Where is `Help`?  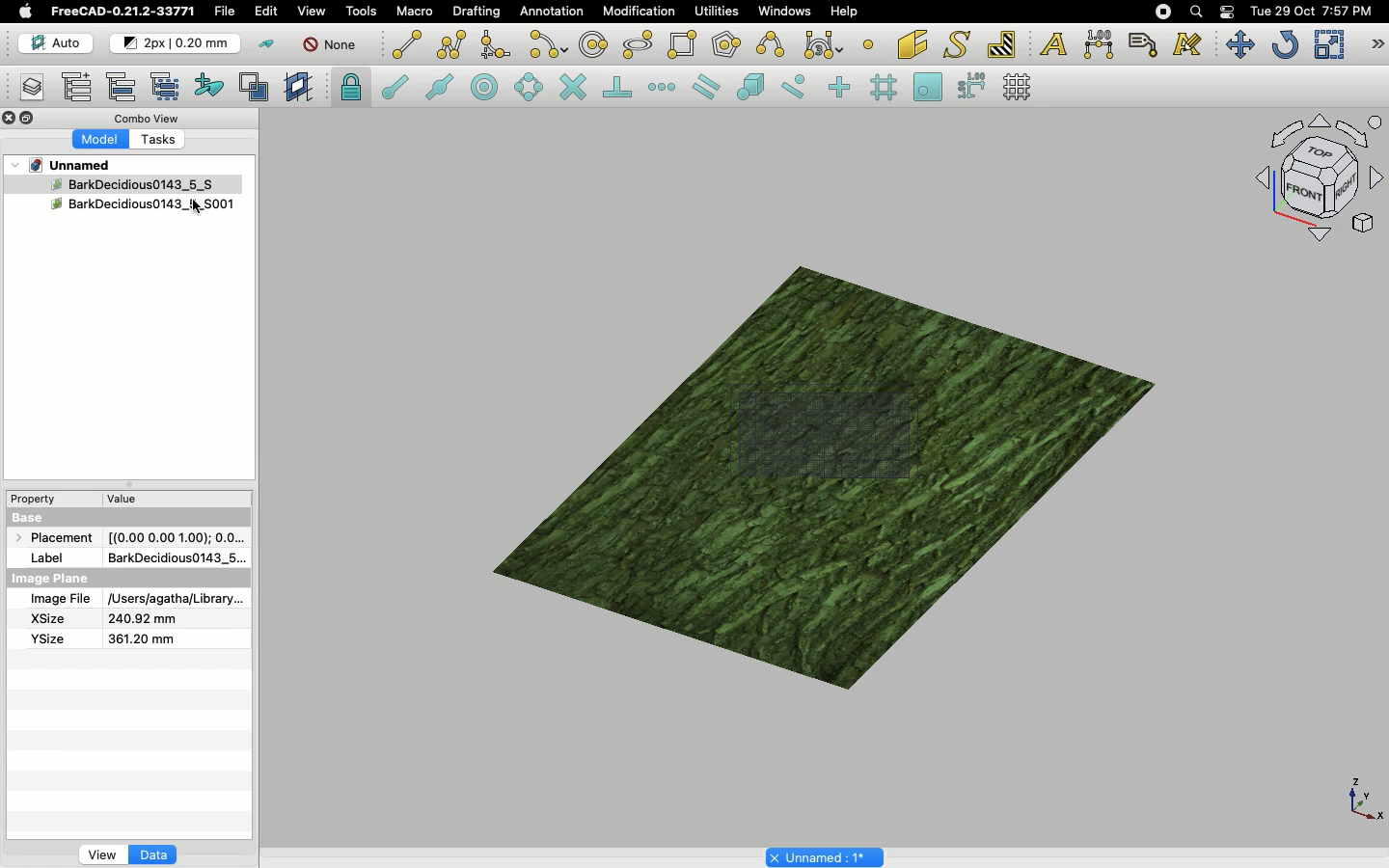
Help is located at coordinates (844, 11).